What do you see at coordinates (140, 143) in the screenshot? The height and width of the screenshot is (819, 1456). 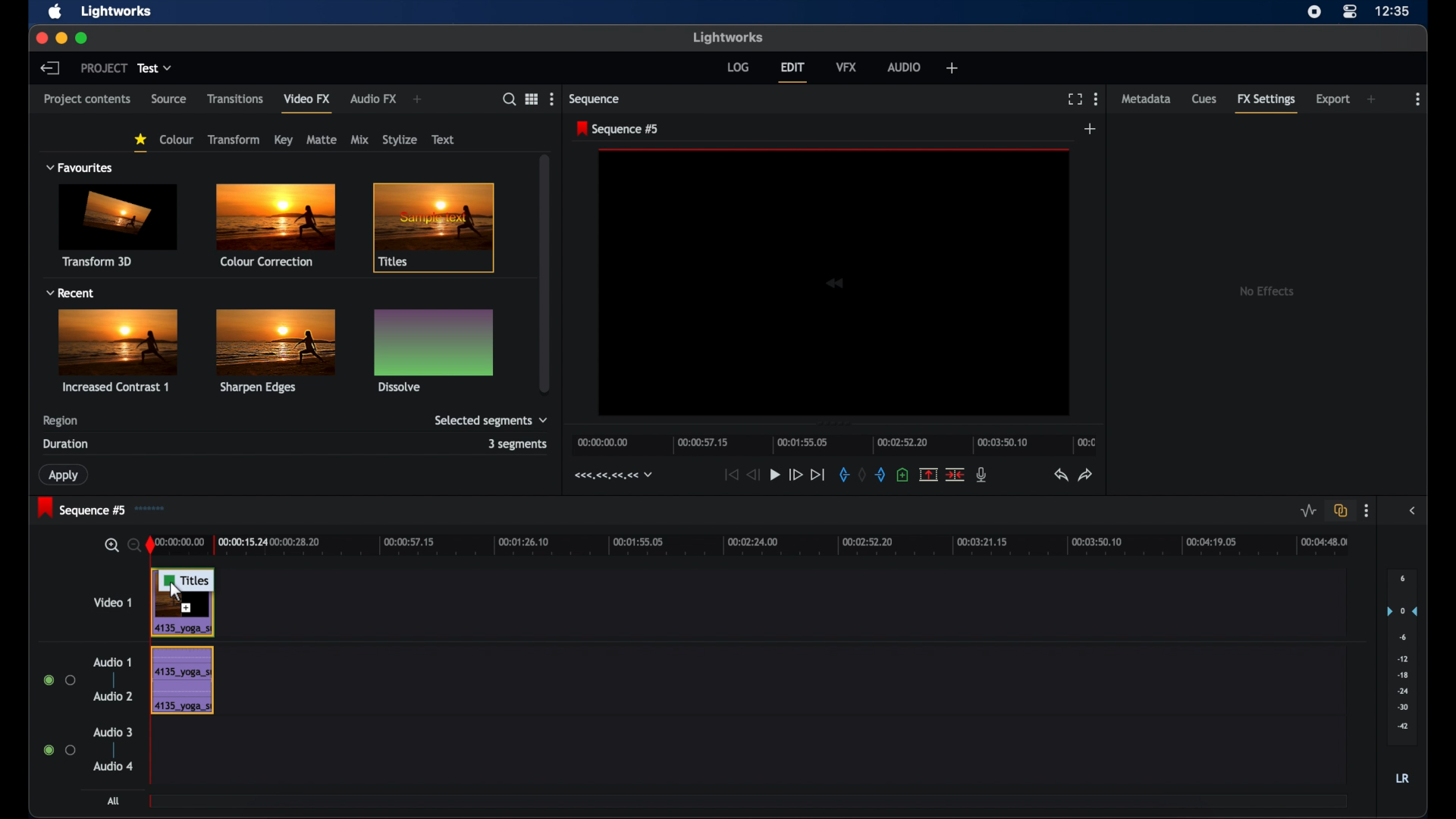 I see `favorites` at bounding box center [140, 143].